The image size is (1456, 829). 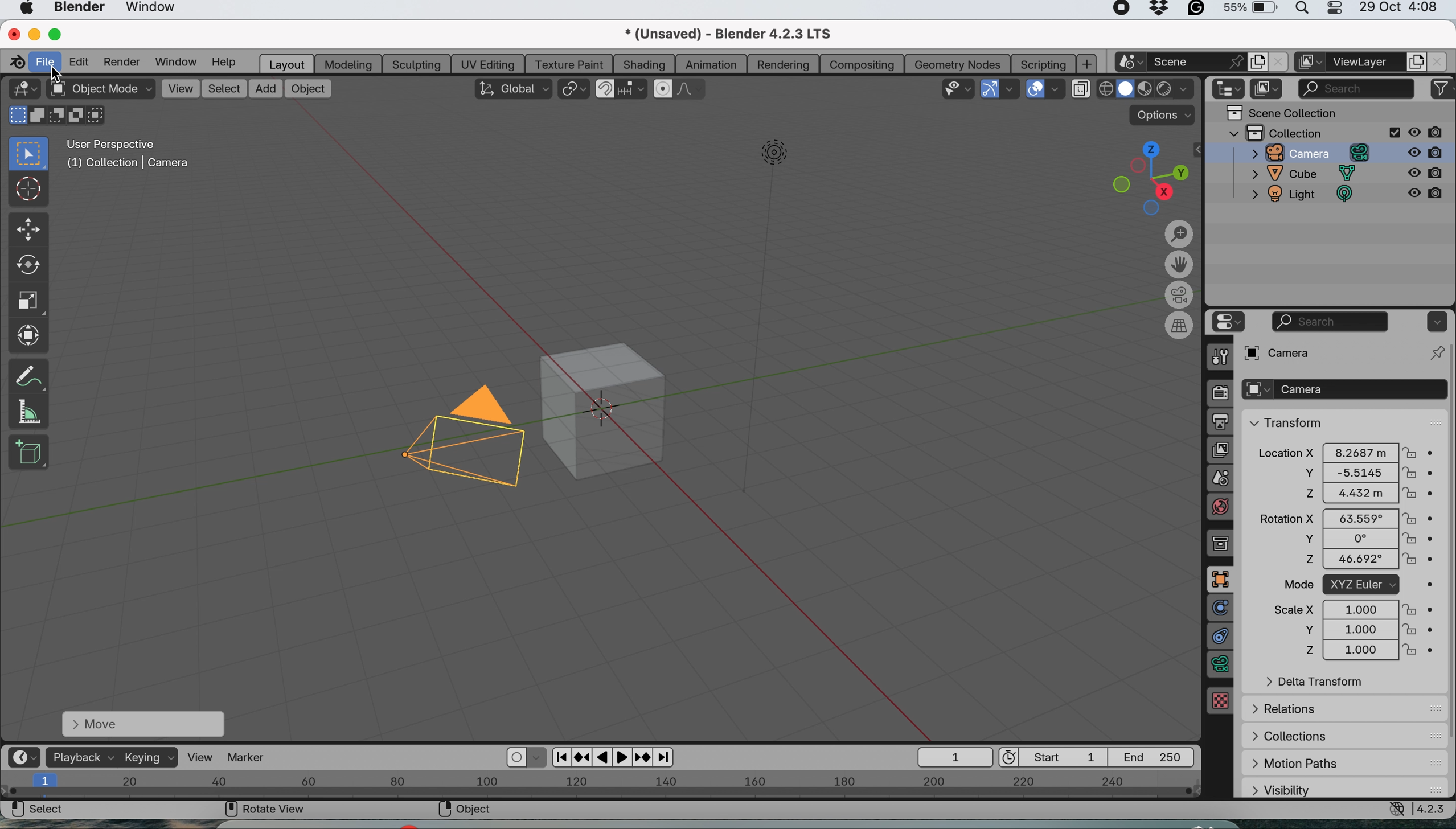 I want to click on new scene, so click(x=1129, y=63).